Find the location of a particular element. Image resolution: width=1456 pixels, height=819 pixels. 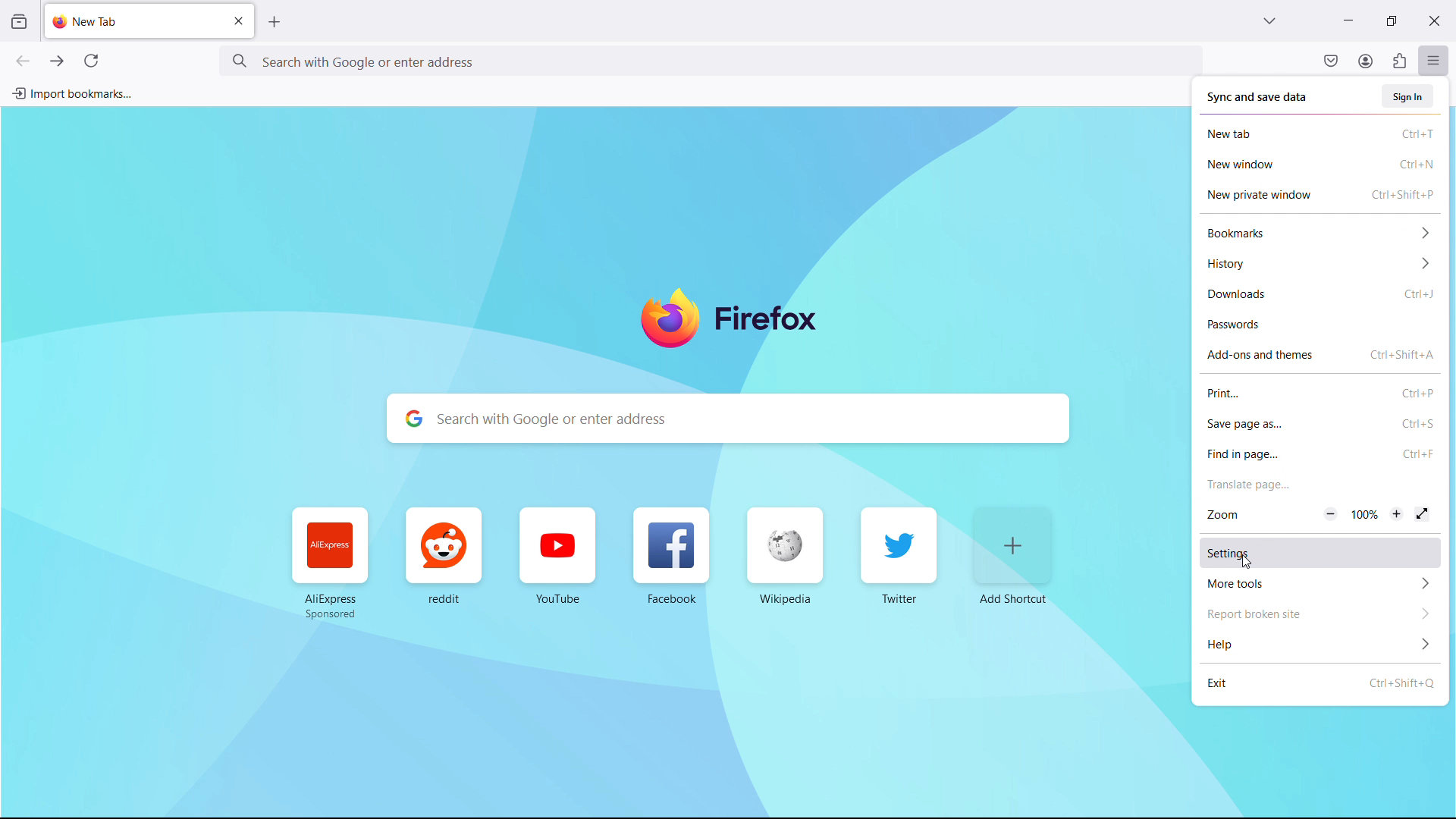

reload current page is located at coordinates (91, 64).